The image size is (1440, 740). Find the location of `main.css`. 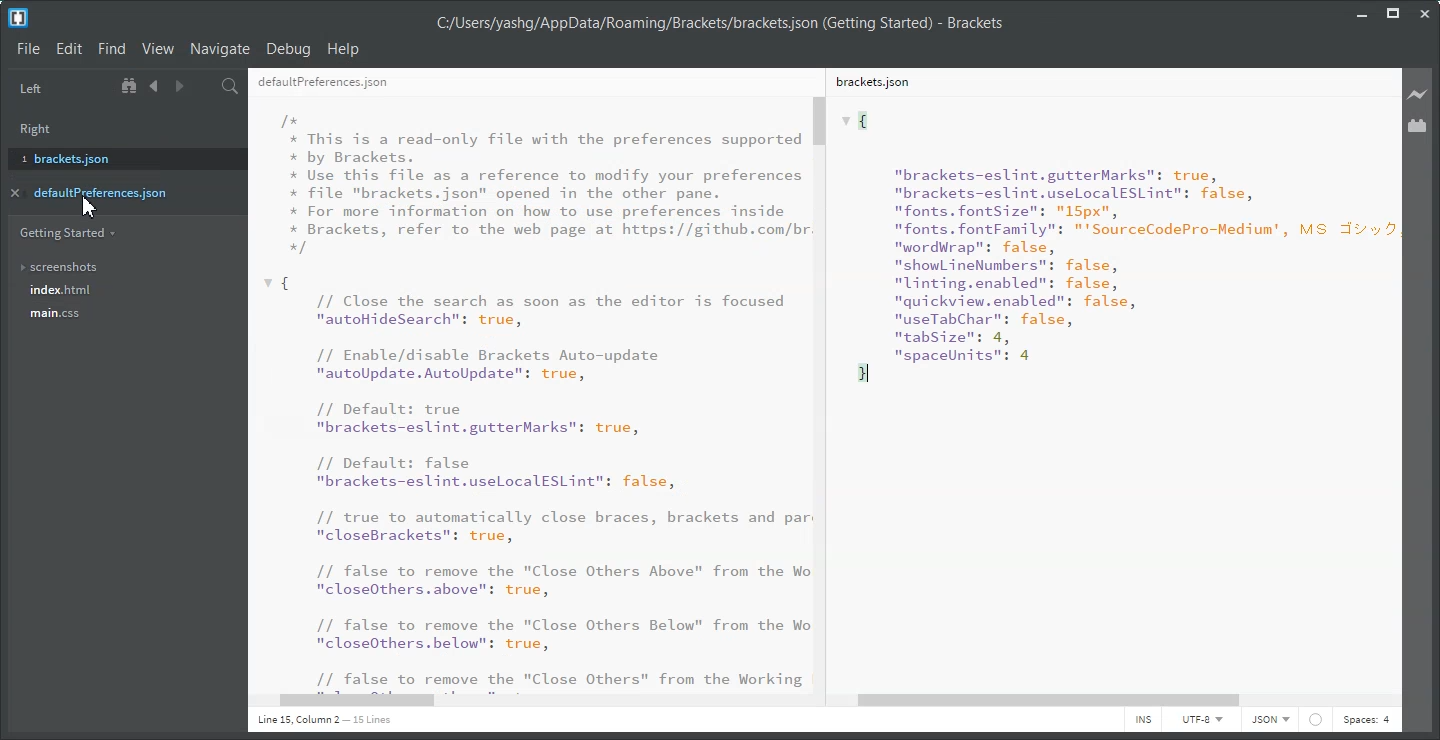

main.css is located at coordinates (121, 319).